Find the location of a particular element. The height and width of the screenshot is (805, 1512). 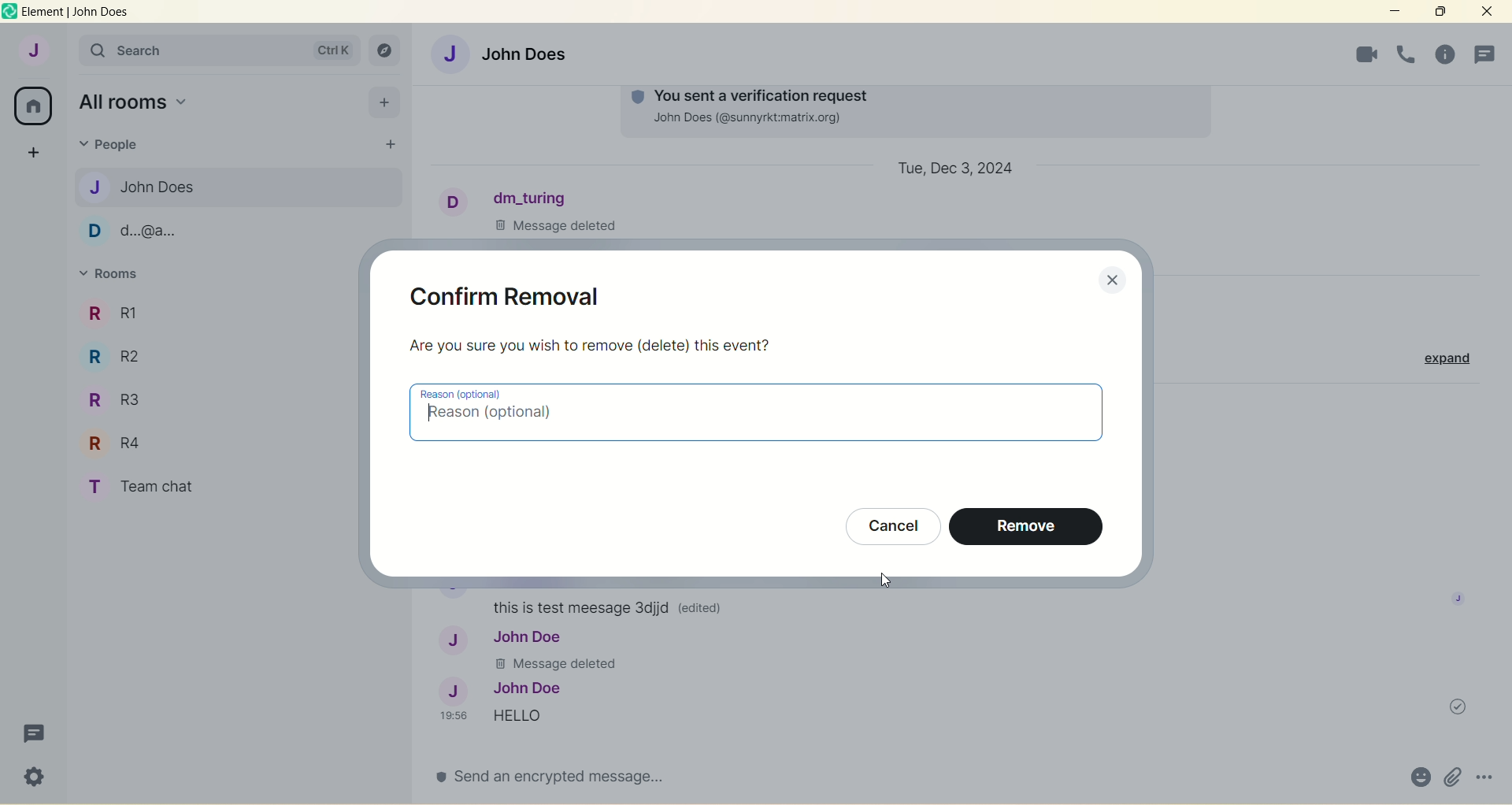

reason optional is located at coordinates (758, 413).